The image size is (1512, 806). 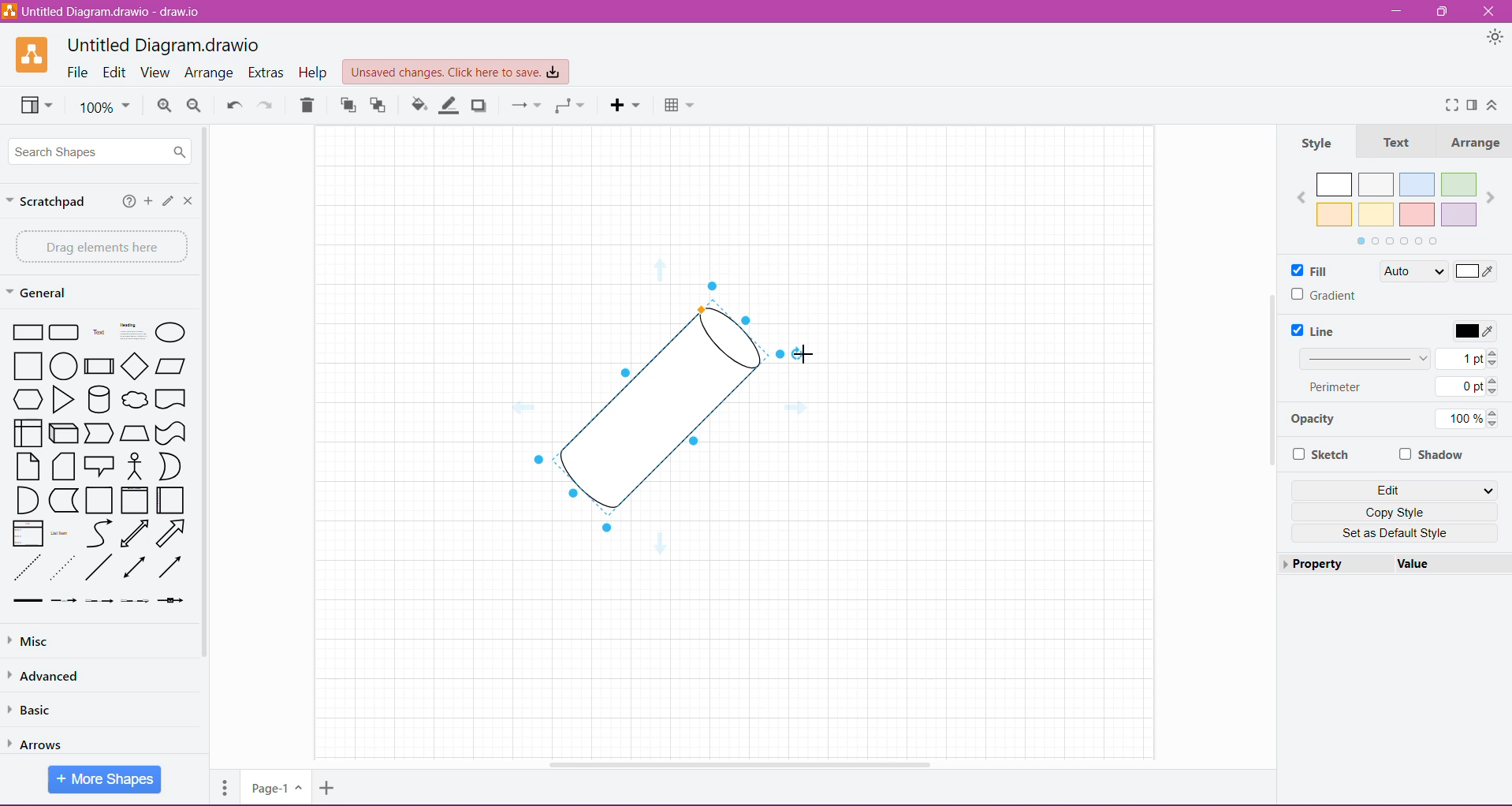 I want to click on Value, so click(x=1415, y=564).